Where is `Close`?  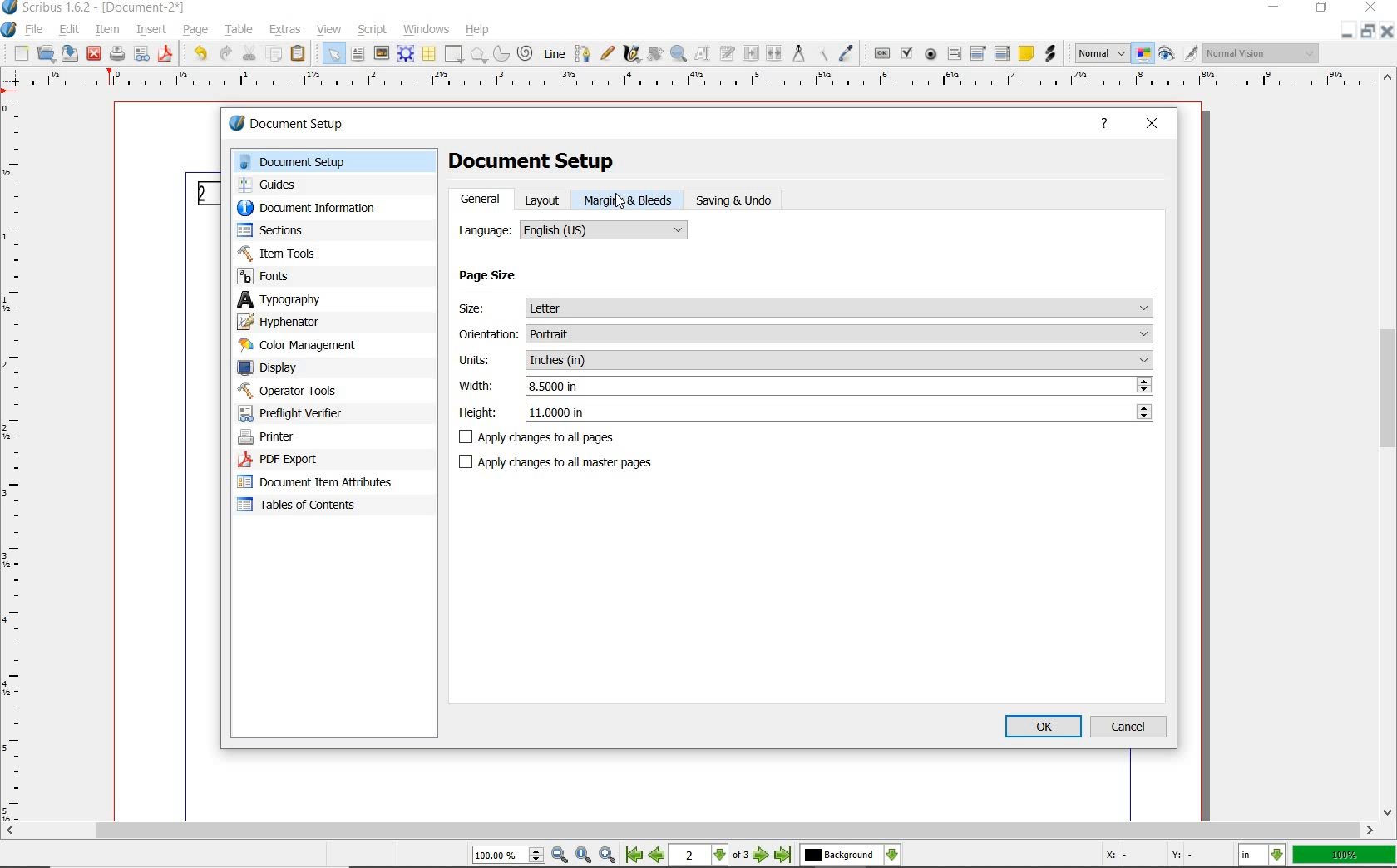
Close is located at coordinates (1389, 34).